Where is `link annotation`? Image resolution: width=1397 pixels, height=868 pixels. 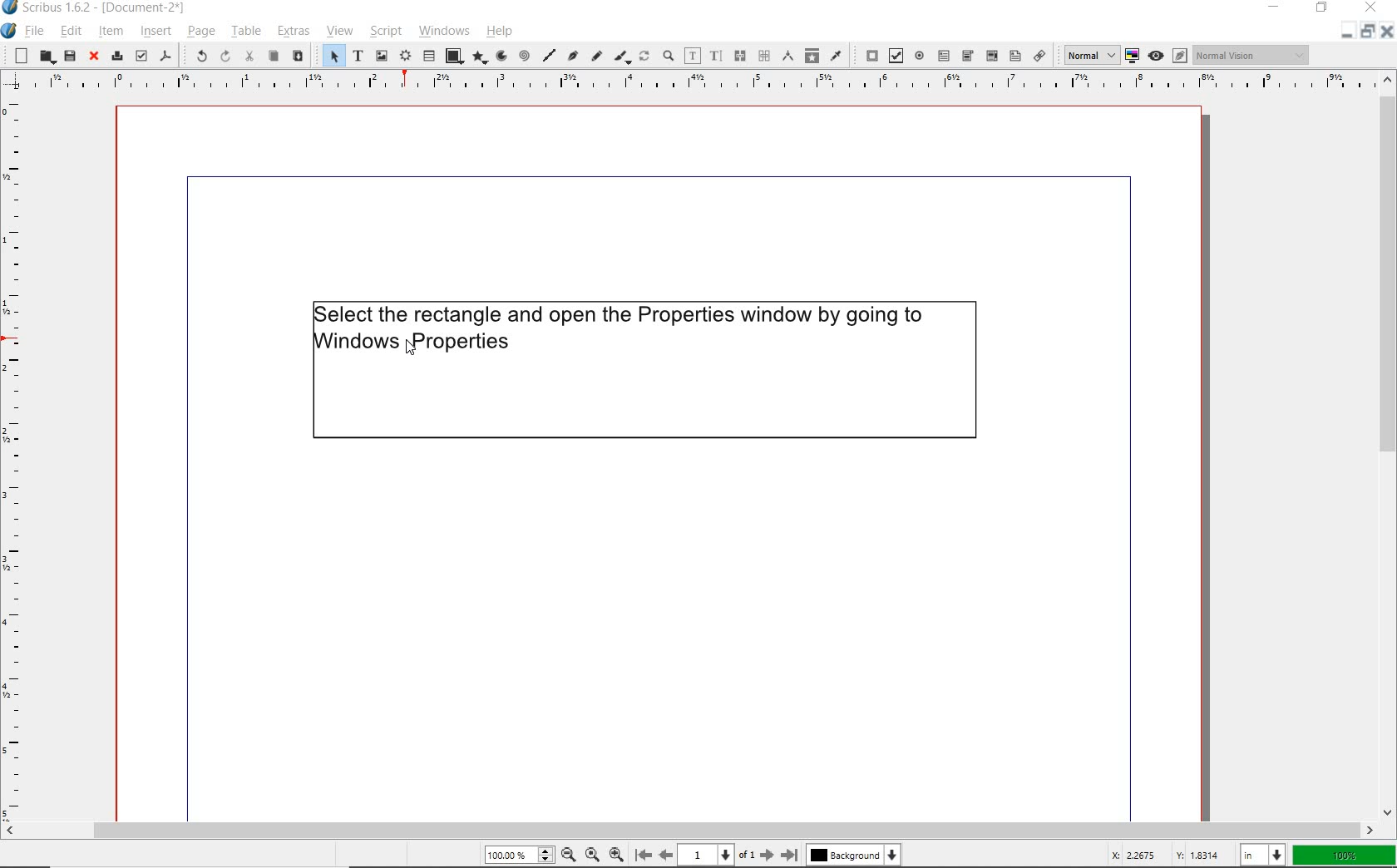
link annotation is located at coordinates (1040, 55).